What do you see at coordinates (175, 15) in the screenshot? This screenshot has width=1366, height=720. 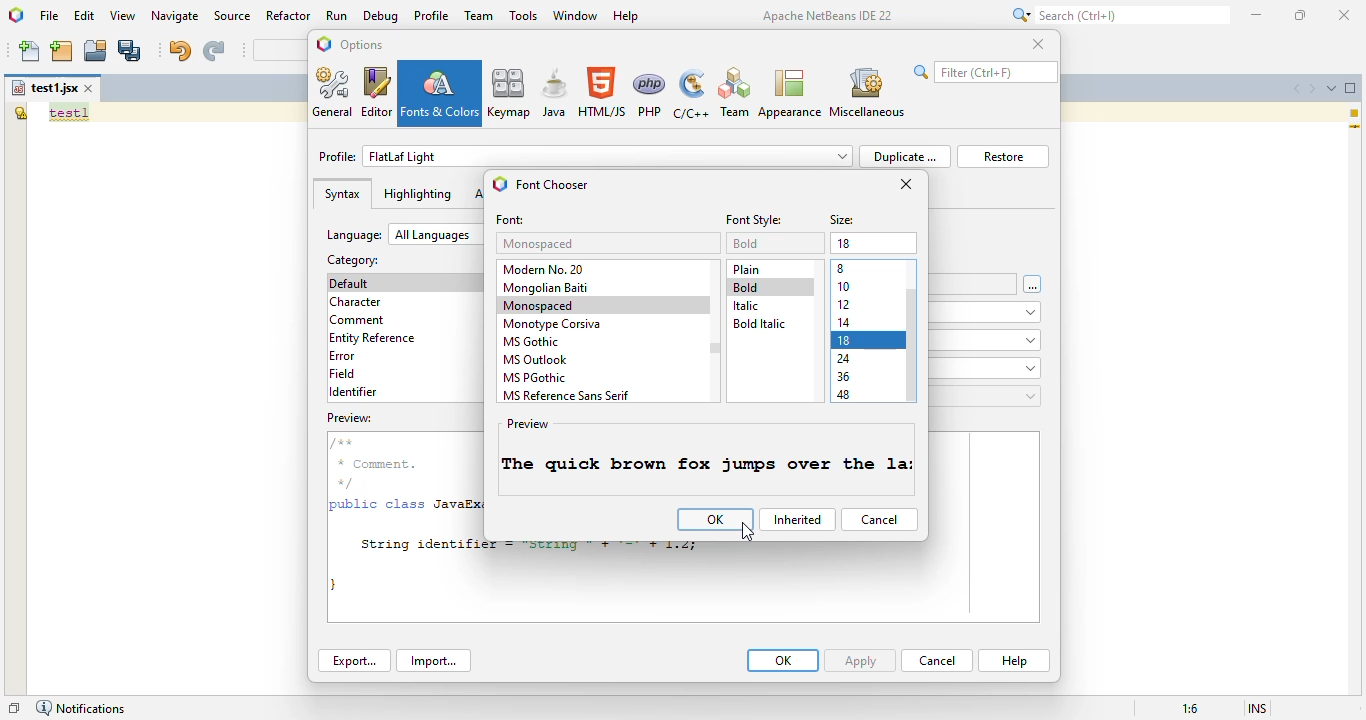 I see `navigate` at bounding box center [175, 15].